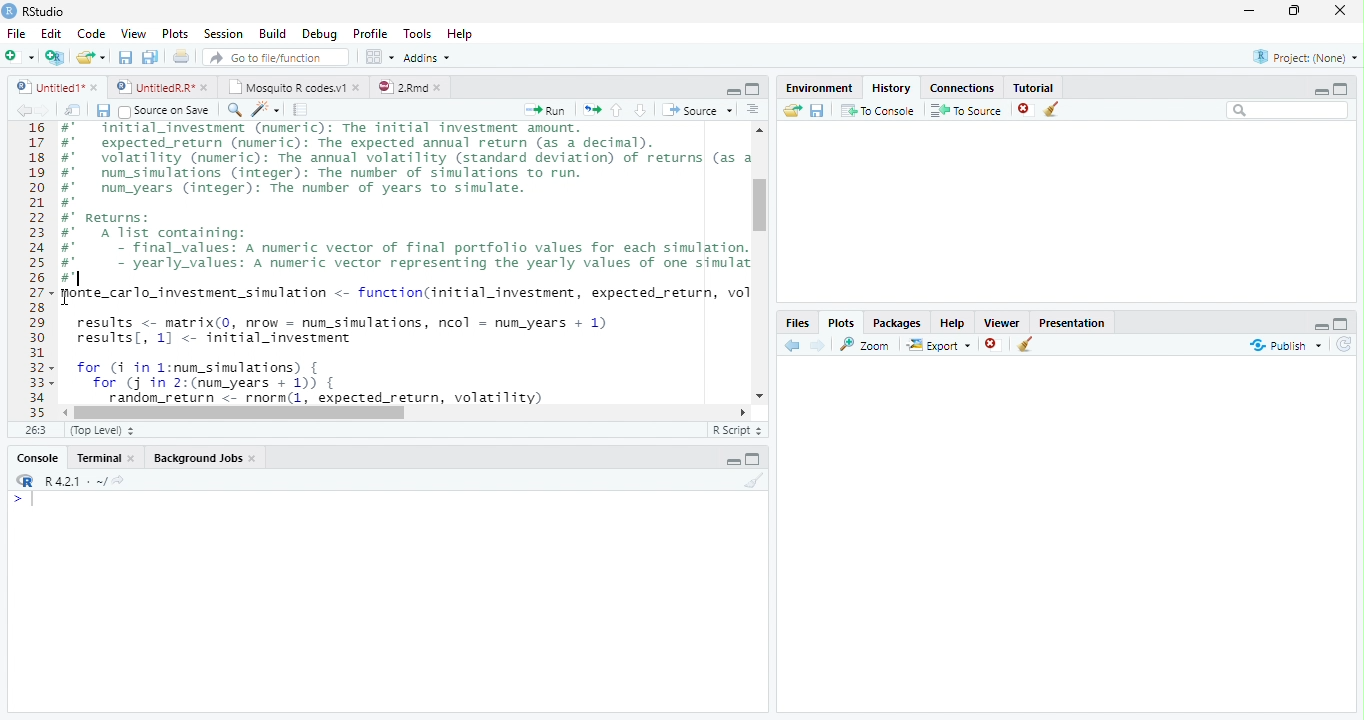 Image resolution: width=1364 pixels, height=720 pixels. I want to click on Next Plot, so click(818, 345).